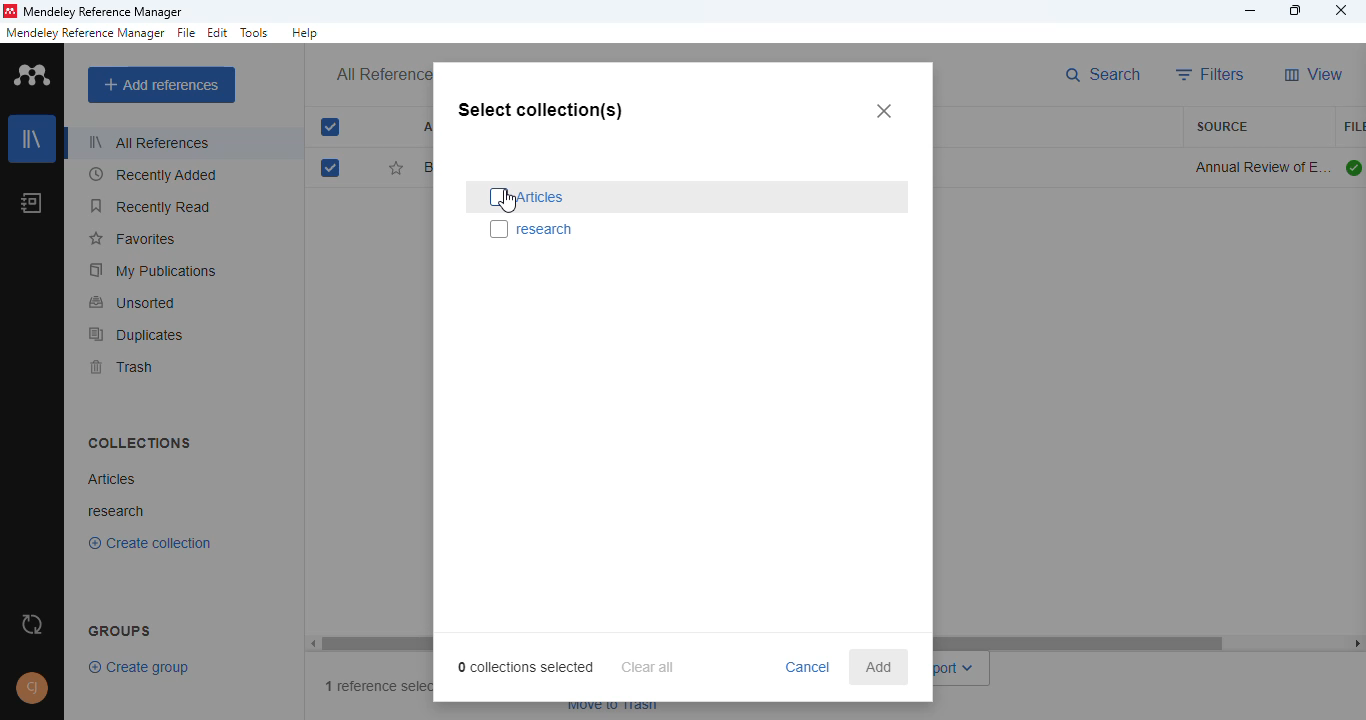 The height and width of the screenshot is (720, 1366). Describe the element at coordinates (884, 111) in the screenshot. I see `close` at that location.